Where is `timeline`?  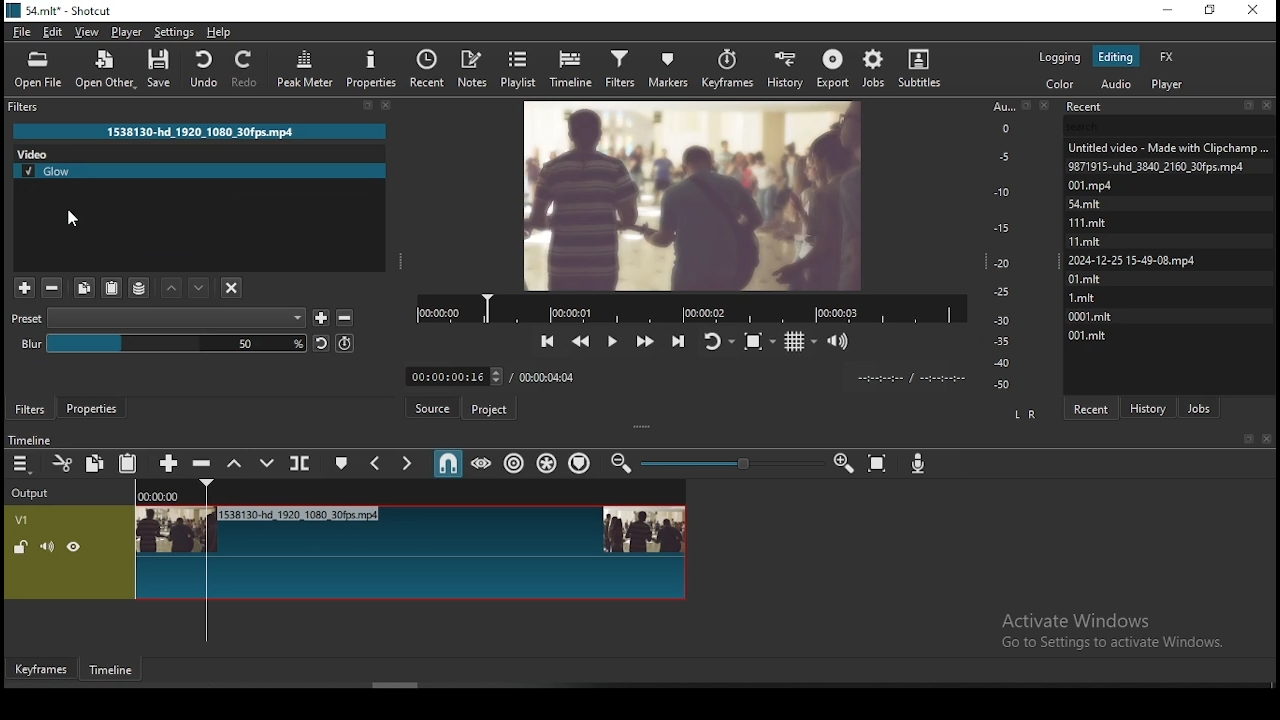
timeline is located at coordinates (574, 66).